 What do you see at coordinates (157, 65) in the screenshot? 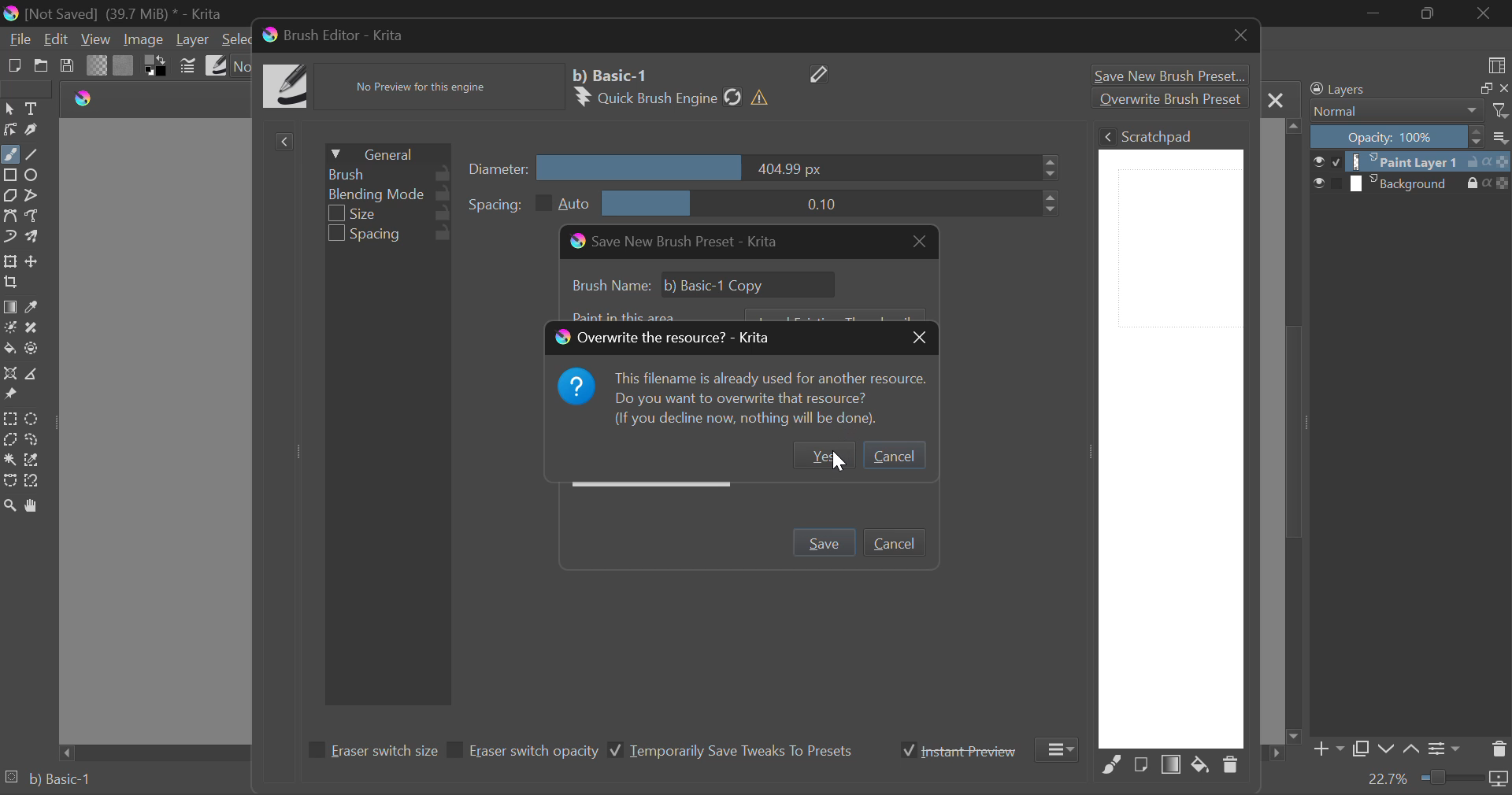
I see `Colors in Use` at bounding box center [157, 65].